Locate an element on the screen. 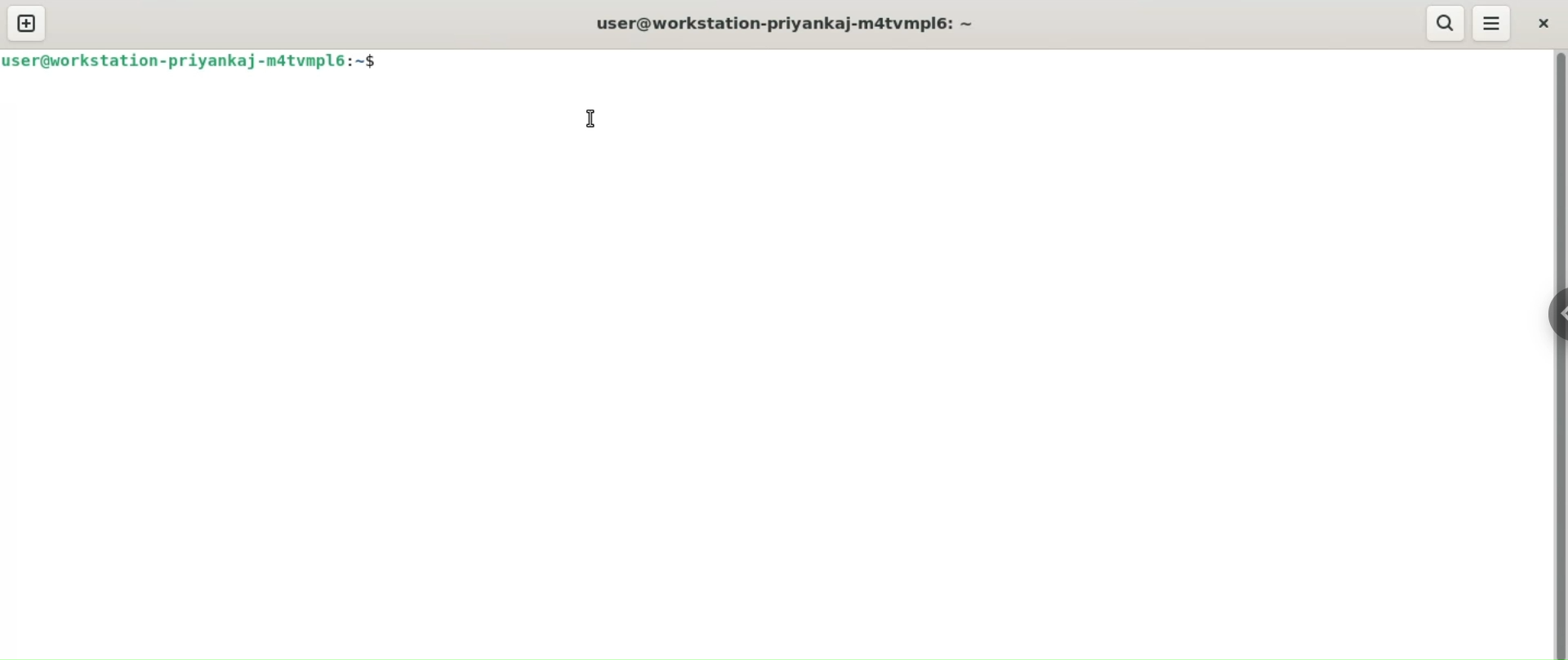 This screenshot has width=1568, height=660. user@workstation-priyankaj-m4tvmpl6: ~ is located at coordinates (789, 24).